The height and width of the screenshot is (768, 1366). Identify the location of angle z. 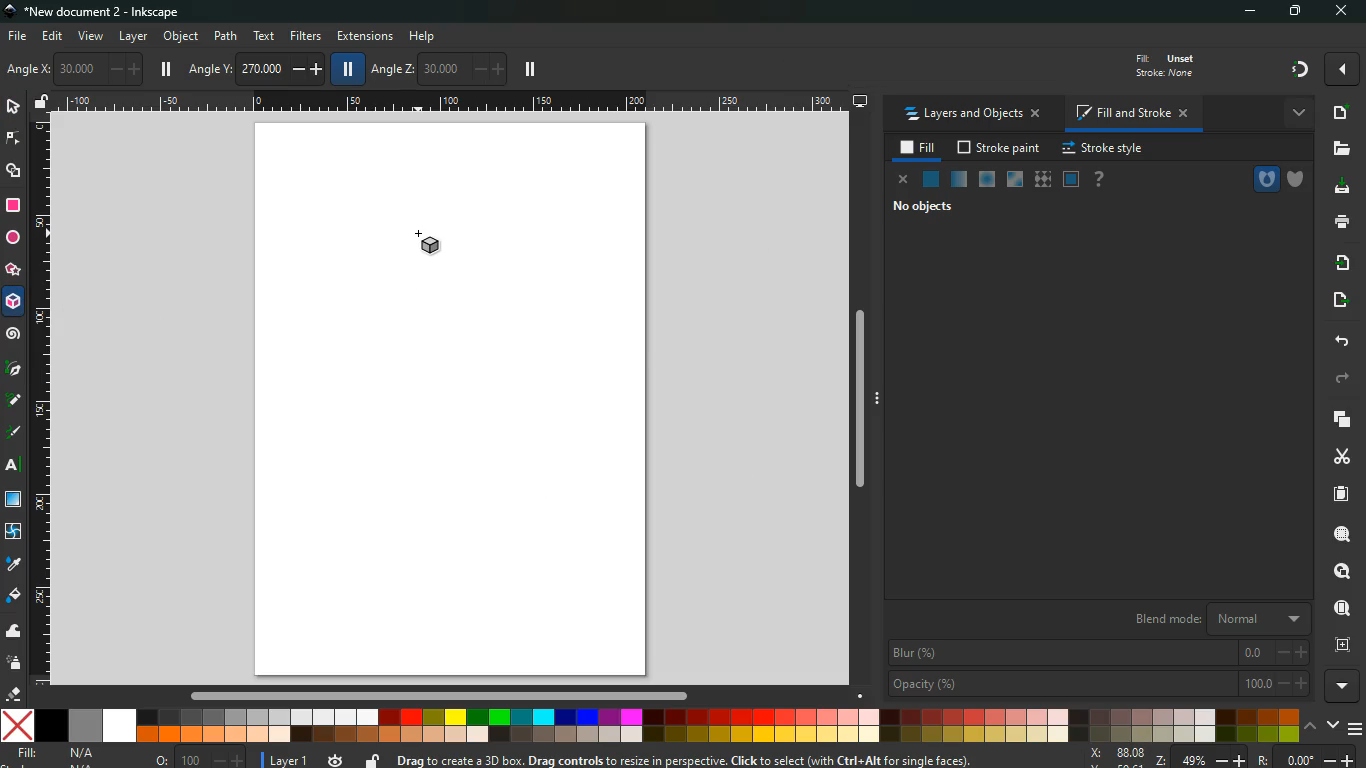
(437, 67).